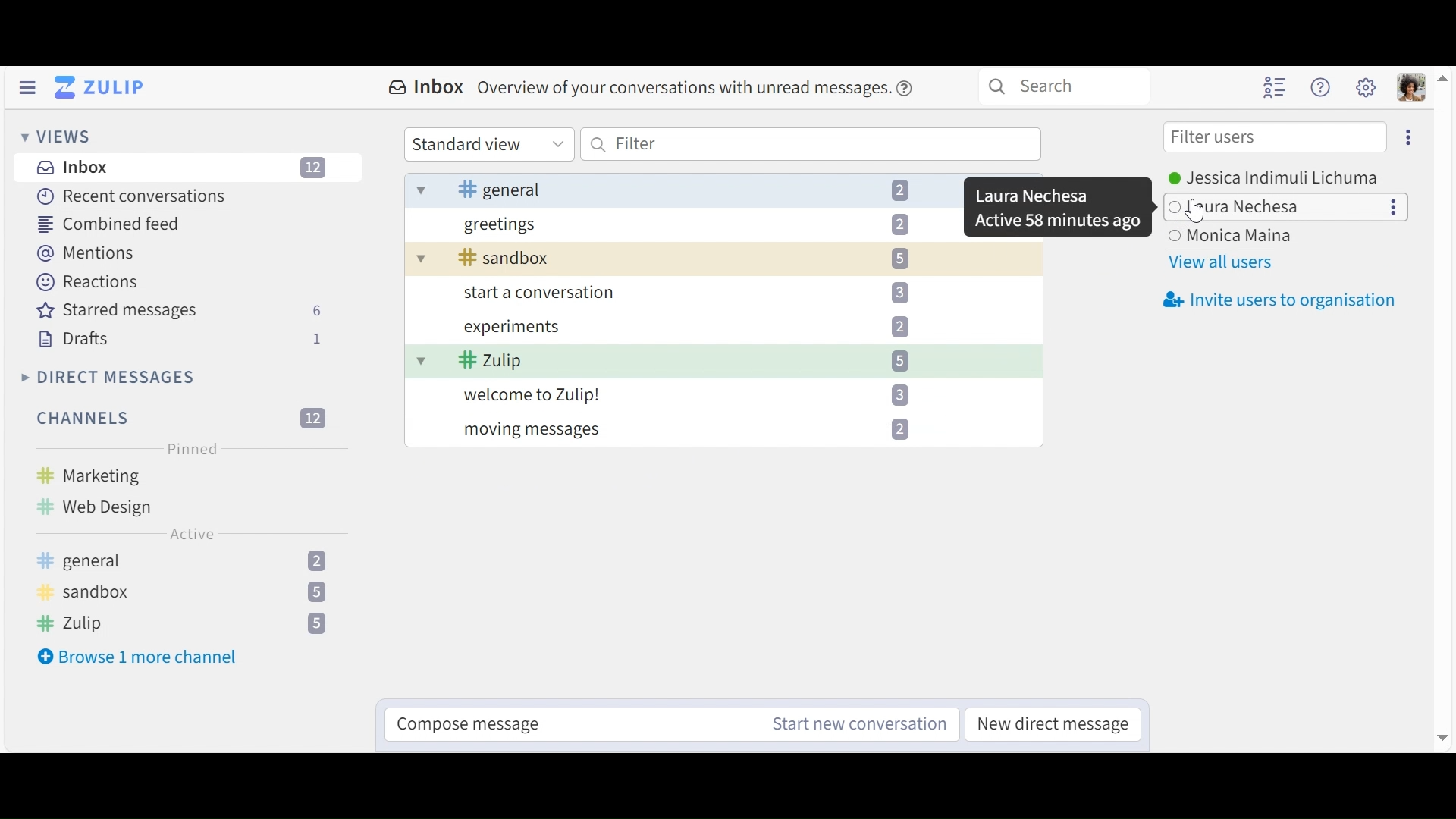 Image resolution: width=1456 pixels, height=819 pixels. What do you see at coordinates (705, 425) in the screenshot?
I see `moving messages` at bounding box center [705, 425].